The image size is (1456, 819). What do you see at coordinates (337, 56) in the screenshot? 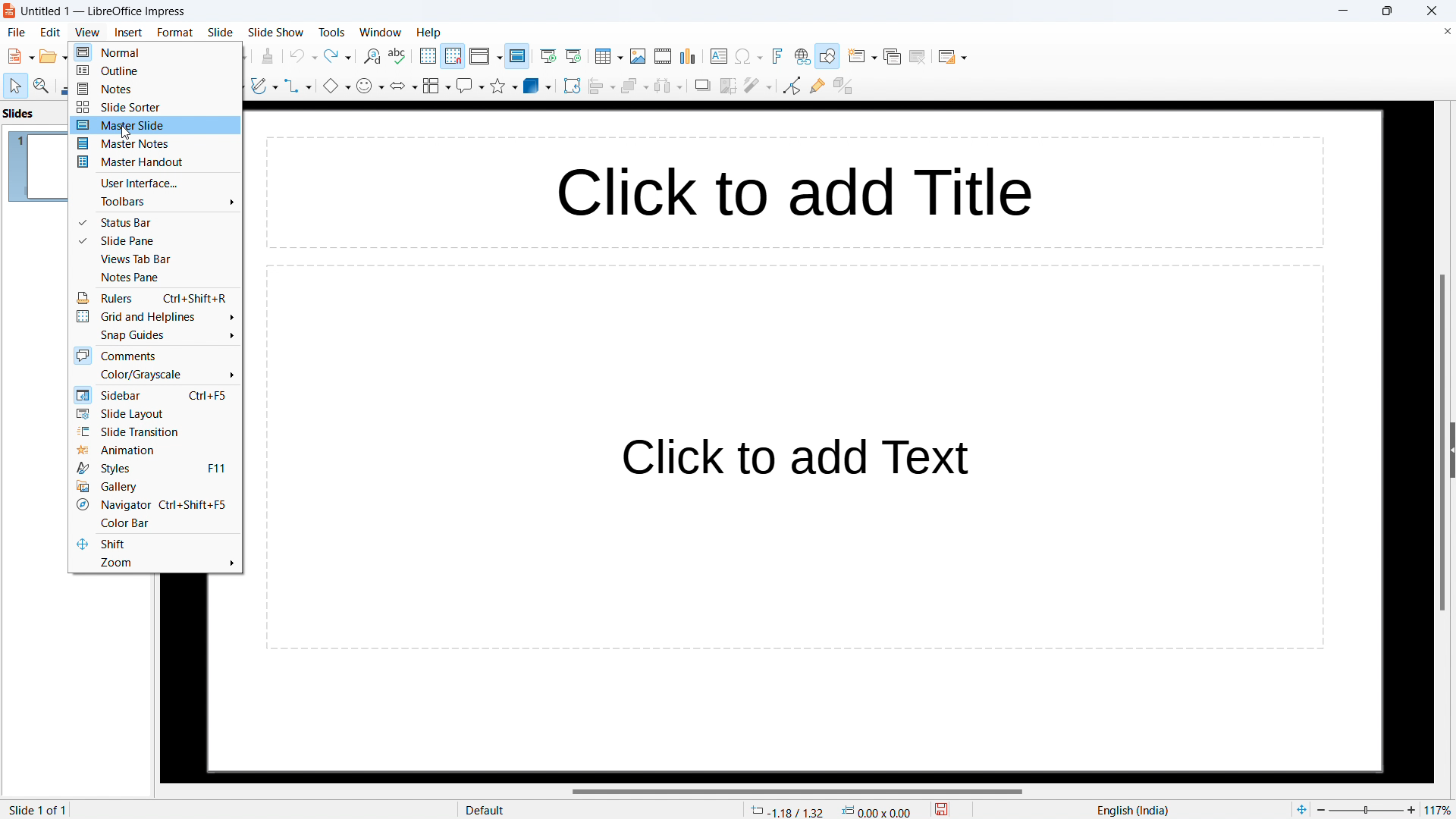
I see `redo` at bounding box center [337, 56].